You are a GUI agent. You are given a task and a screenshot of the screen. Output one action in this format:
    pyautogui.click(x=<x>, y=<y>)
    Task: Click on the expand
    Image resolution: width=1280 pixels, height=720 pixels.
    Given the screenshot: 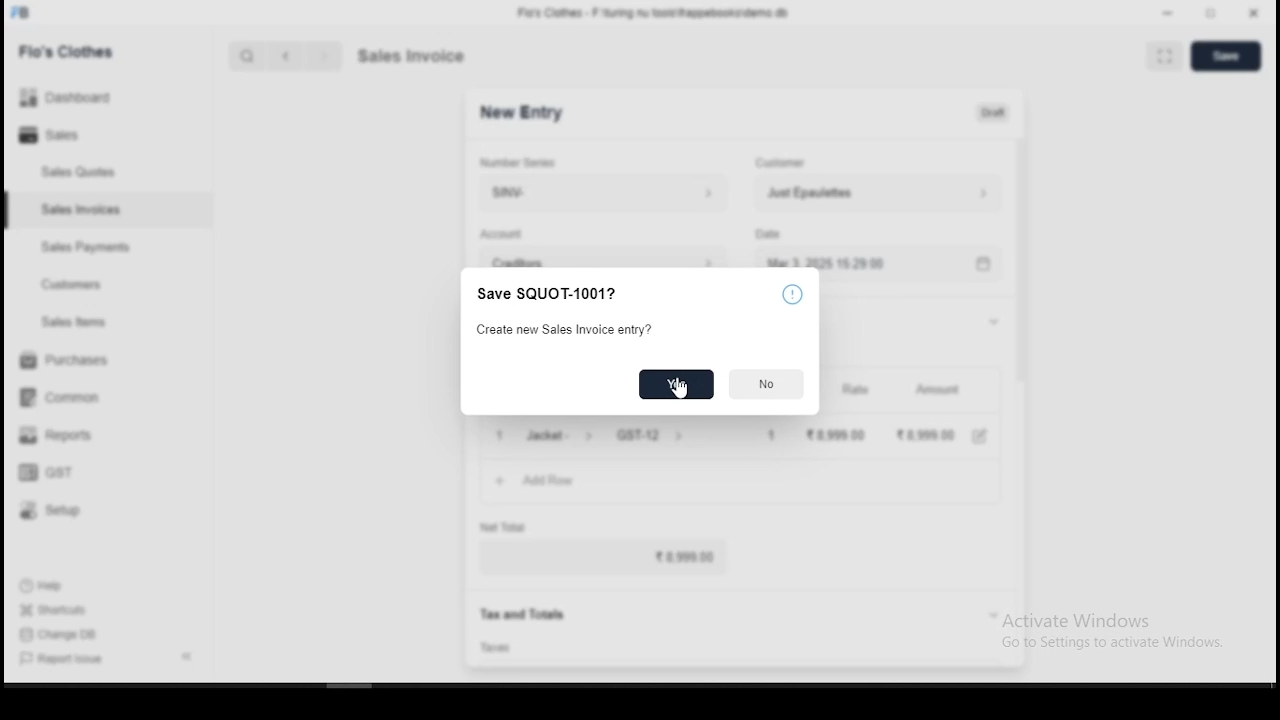 What is the action you would take?
    pyautogui.click(x=987, y=614)
    